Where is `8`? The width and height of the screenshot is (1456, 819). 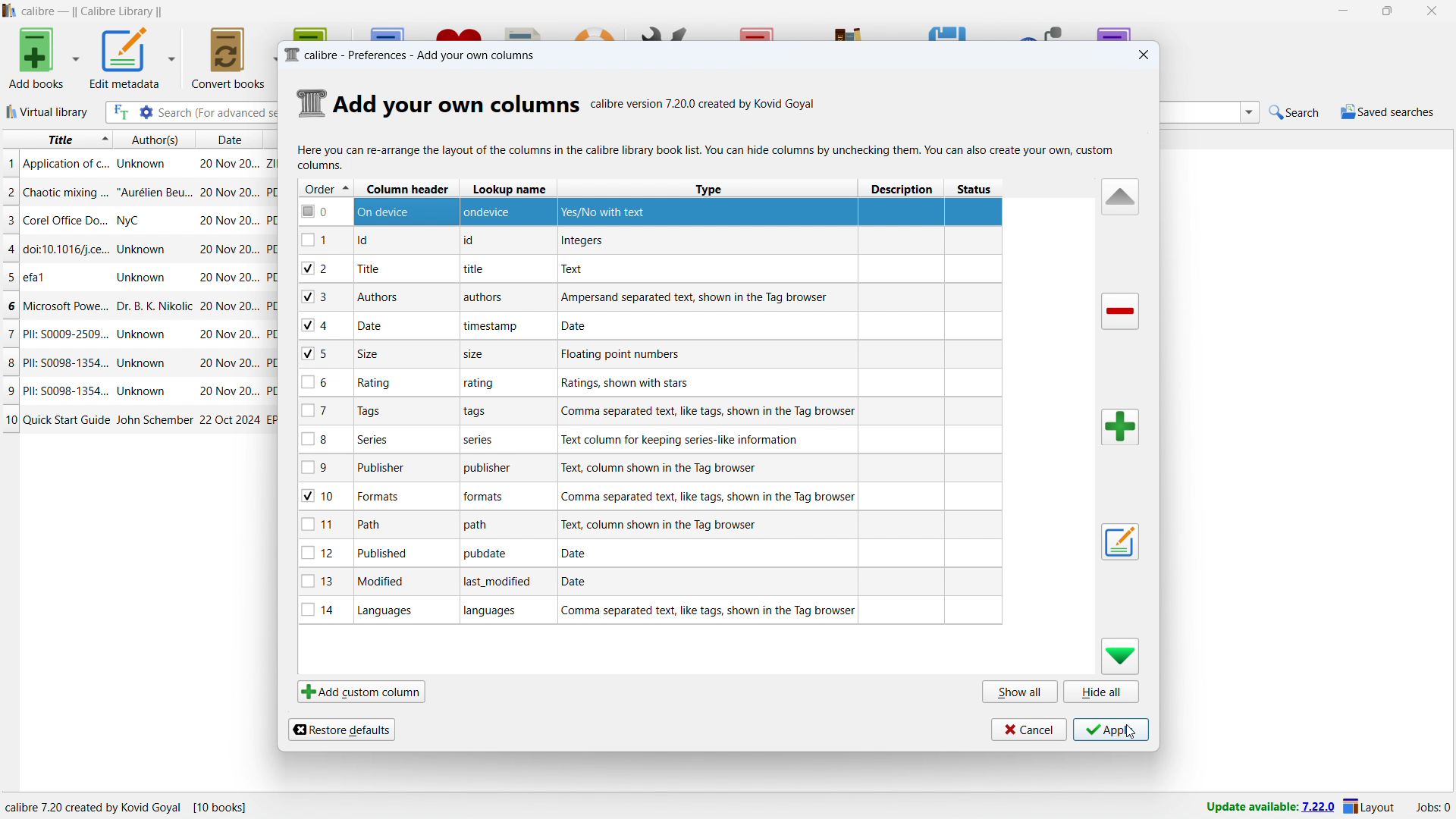
8 is located at coordinates (9, 362).